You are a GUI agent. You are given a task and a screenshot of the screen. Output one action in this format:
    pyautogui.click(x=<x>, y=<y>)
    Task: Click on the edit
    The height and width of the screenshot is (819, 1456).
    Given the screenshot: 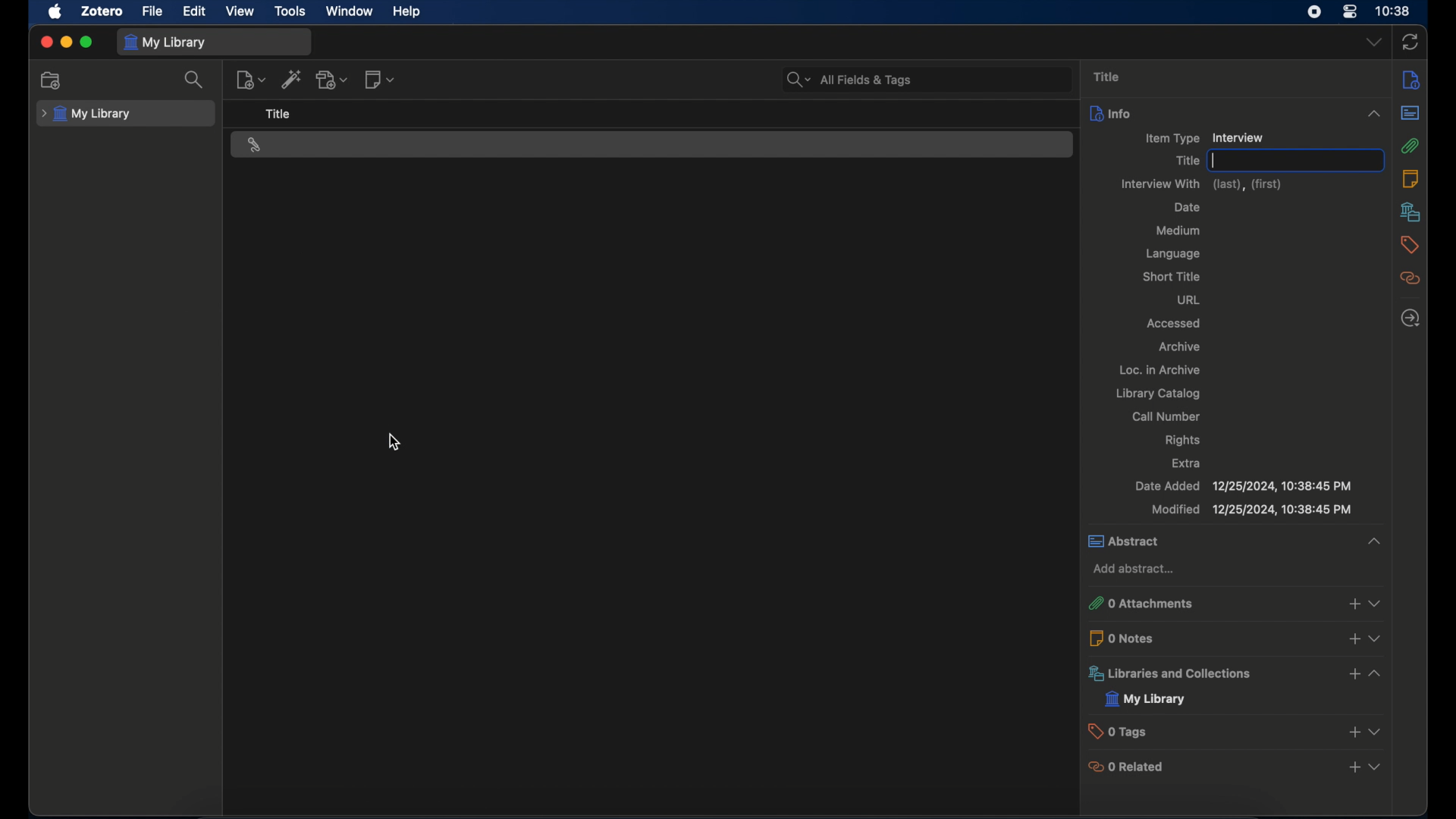 What is the action you would take?
    pyautogui.click(x=196, y=11)
    